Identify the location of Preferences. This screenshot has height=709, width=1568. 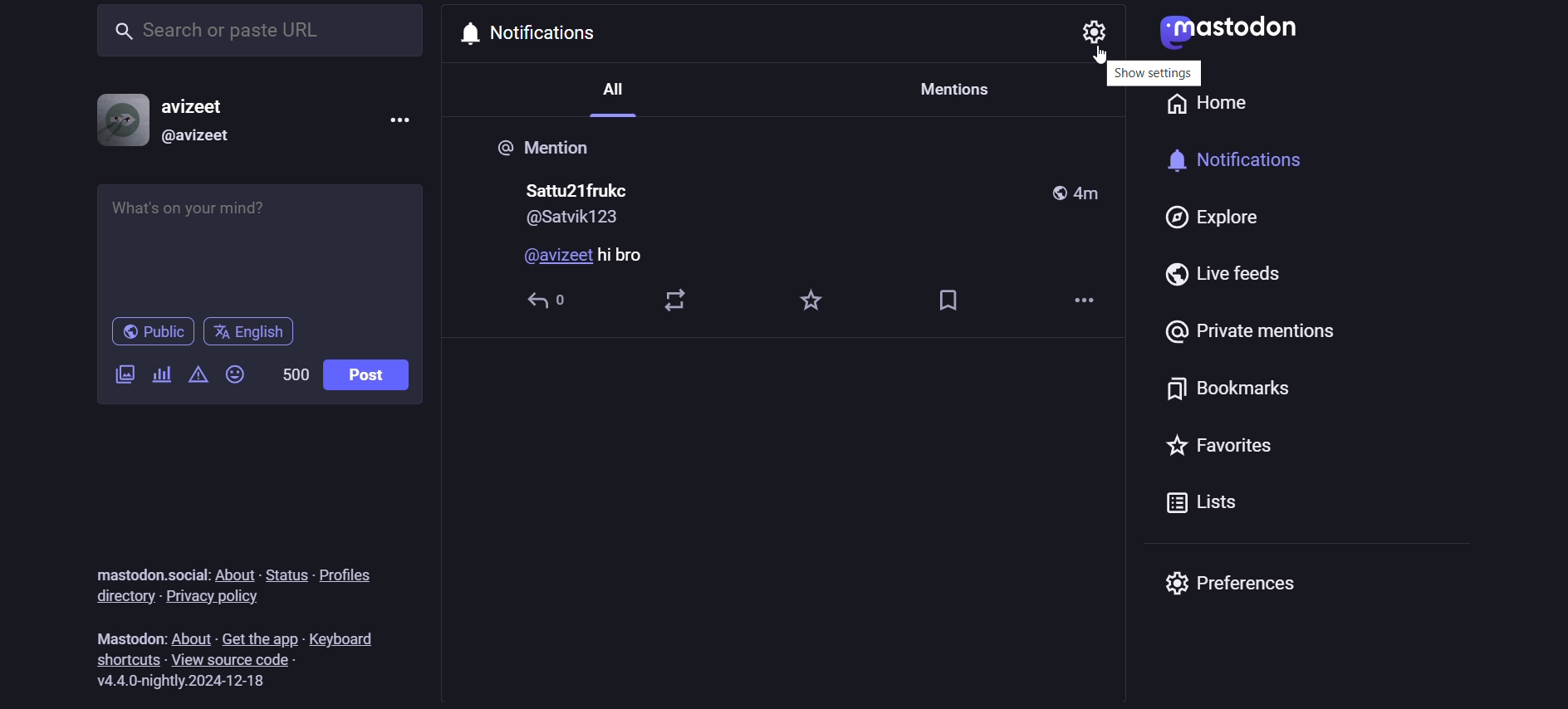
(1229, 584).